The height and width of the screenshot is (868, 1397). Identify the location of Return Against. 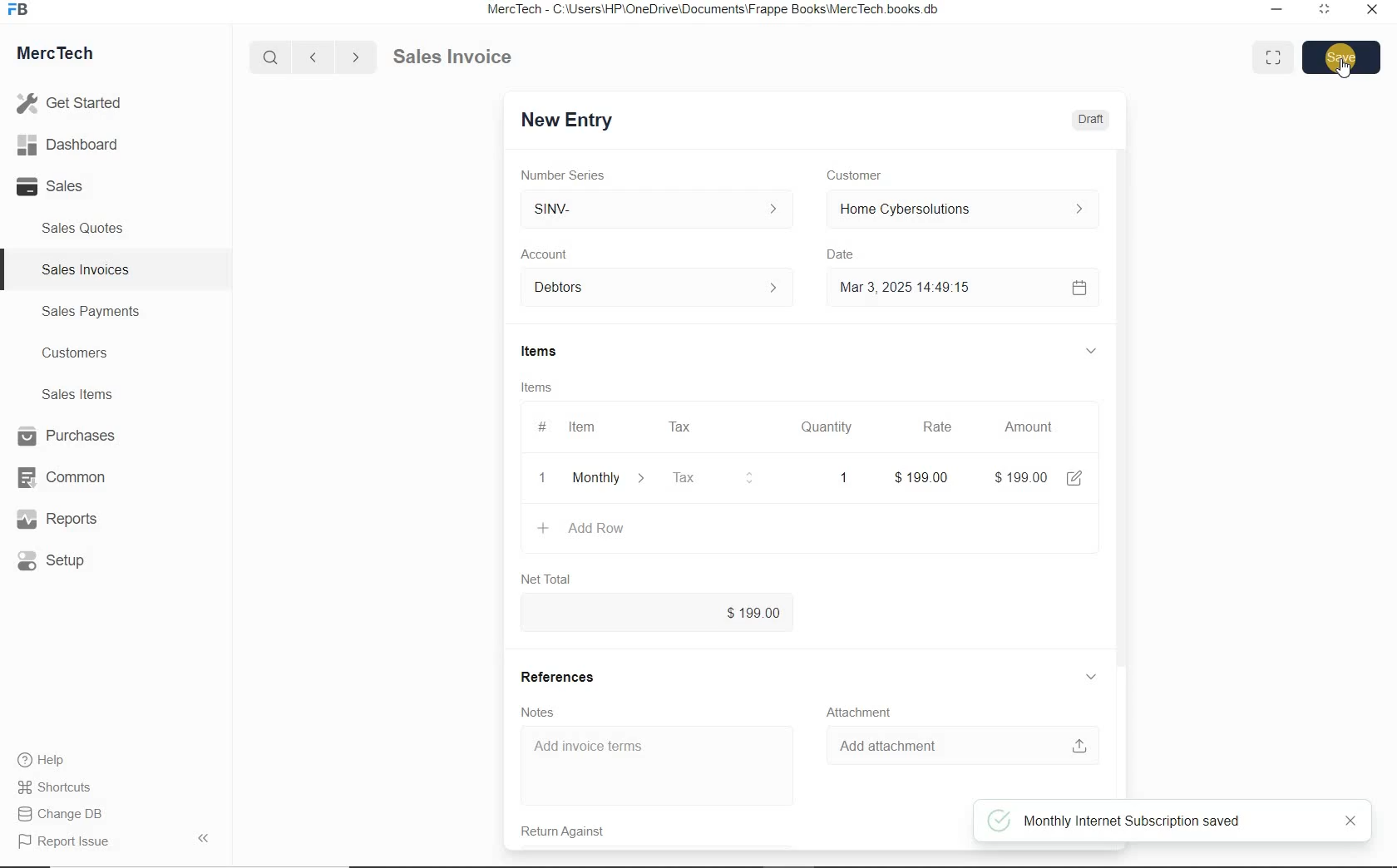
(575, 831).